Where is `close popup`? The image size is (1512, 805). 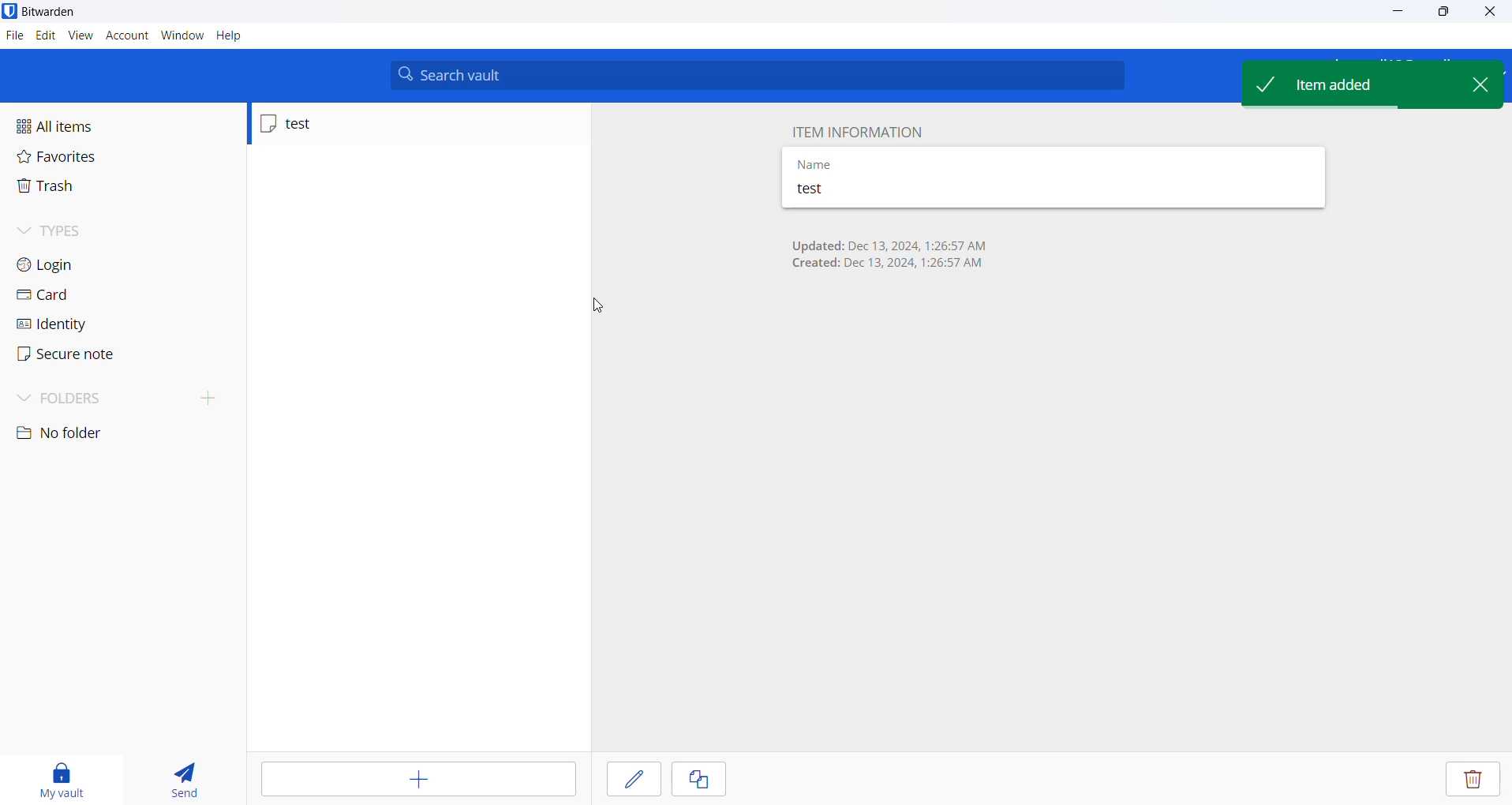
close popup is located at coordinates (1479, 85).